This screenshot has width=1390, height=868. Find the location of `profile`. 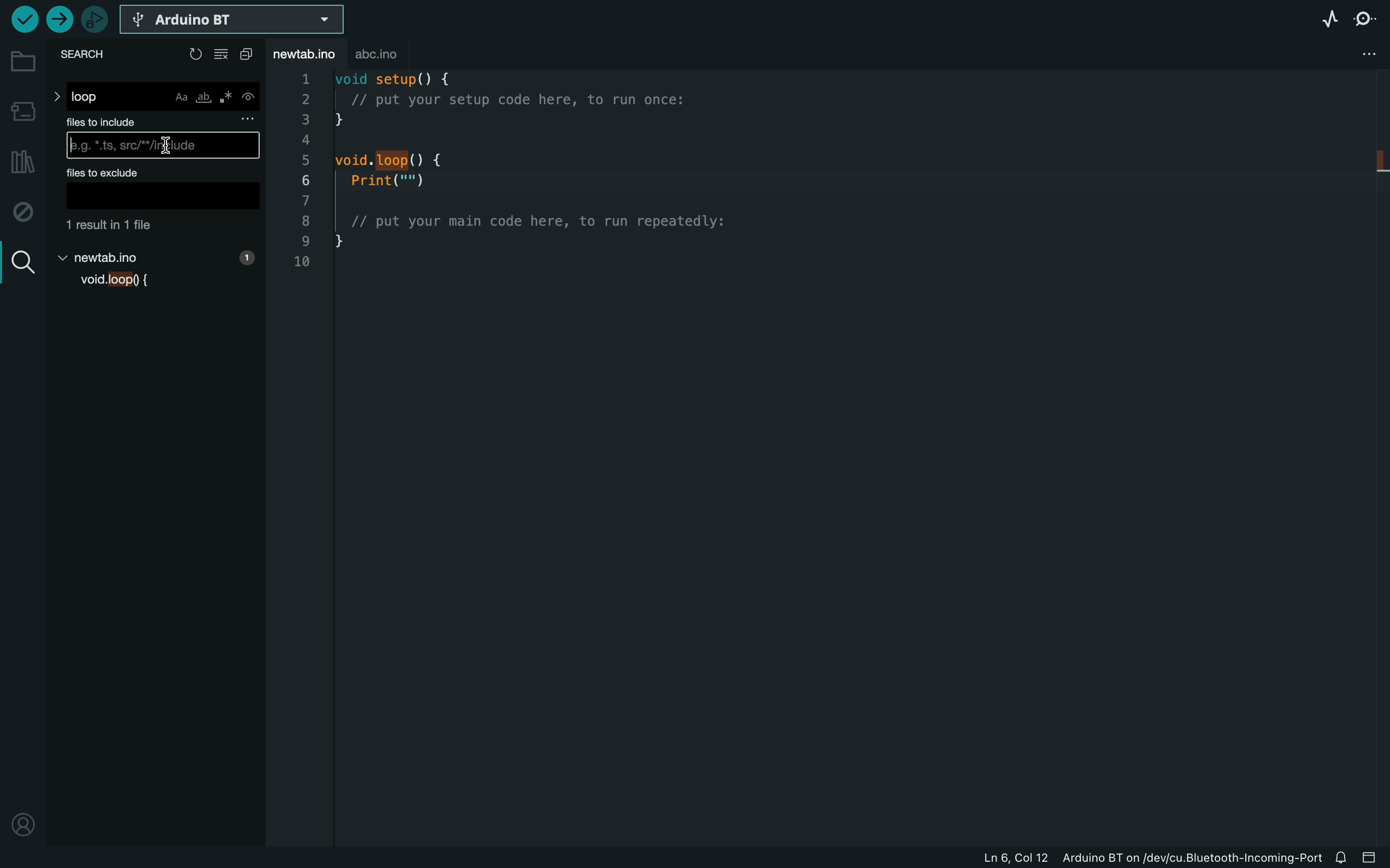

profile is located at coordinates (23, 818).